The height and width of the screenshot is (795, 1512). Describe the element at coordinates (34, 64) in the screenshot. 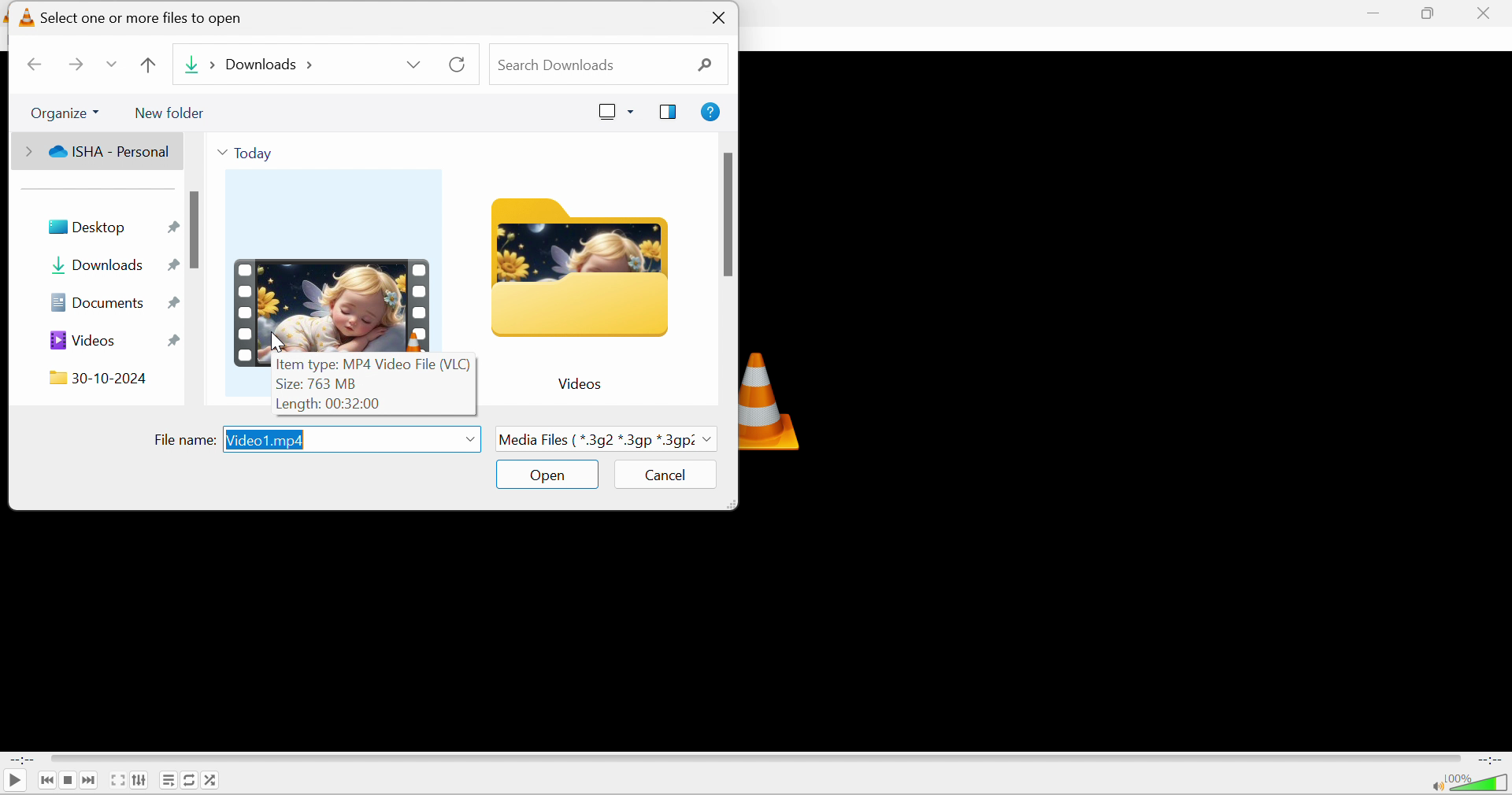

I see `Back` at that location.